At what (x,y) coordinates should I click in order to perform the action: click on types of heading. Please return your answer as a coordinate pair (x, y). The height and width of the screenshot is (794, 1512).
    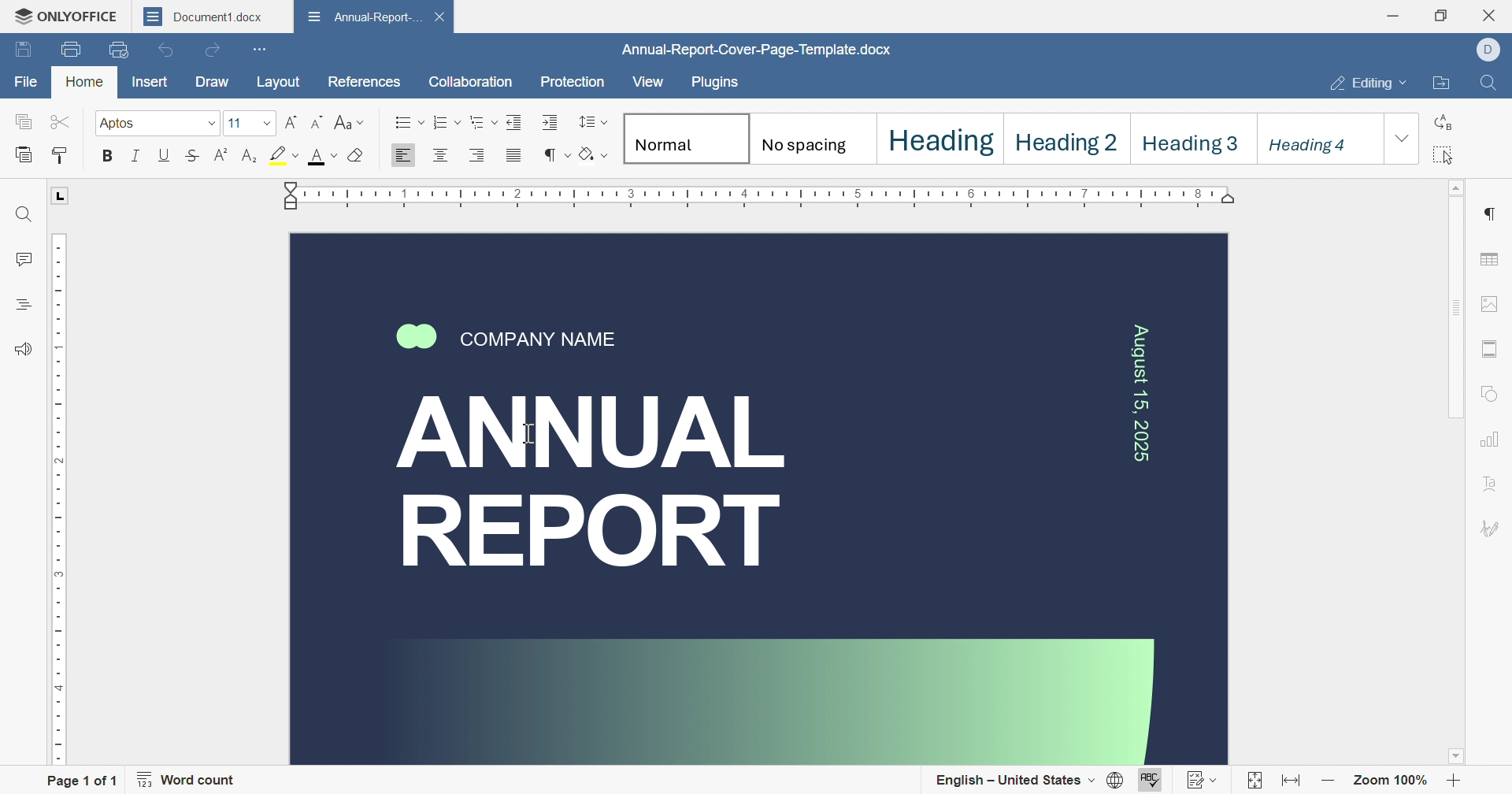
    Looking at the image, I should click on (1002, 135).